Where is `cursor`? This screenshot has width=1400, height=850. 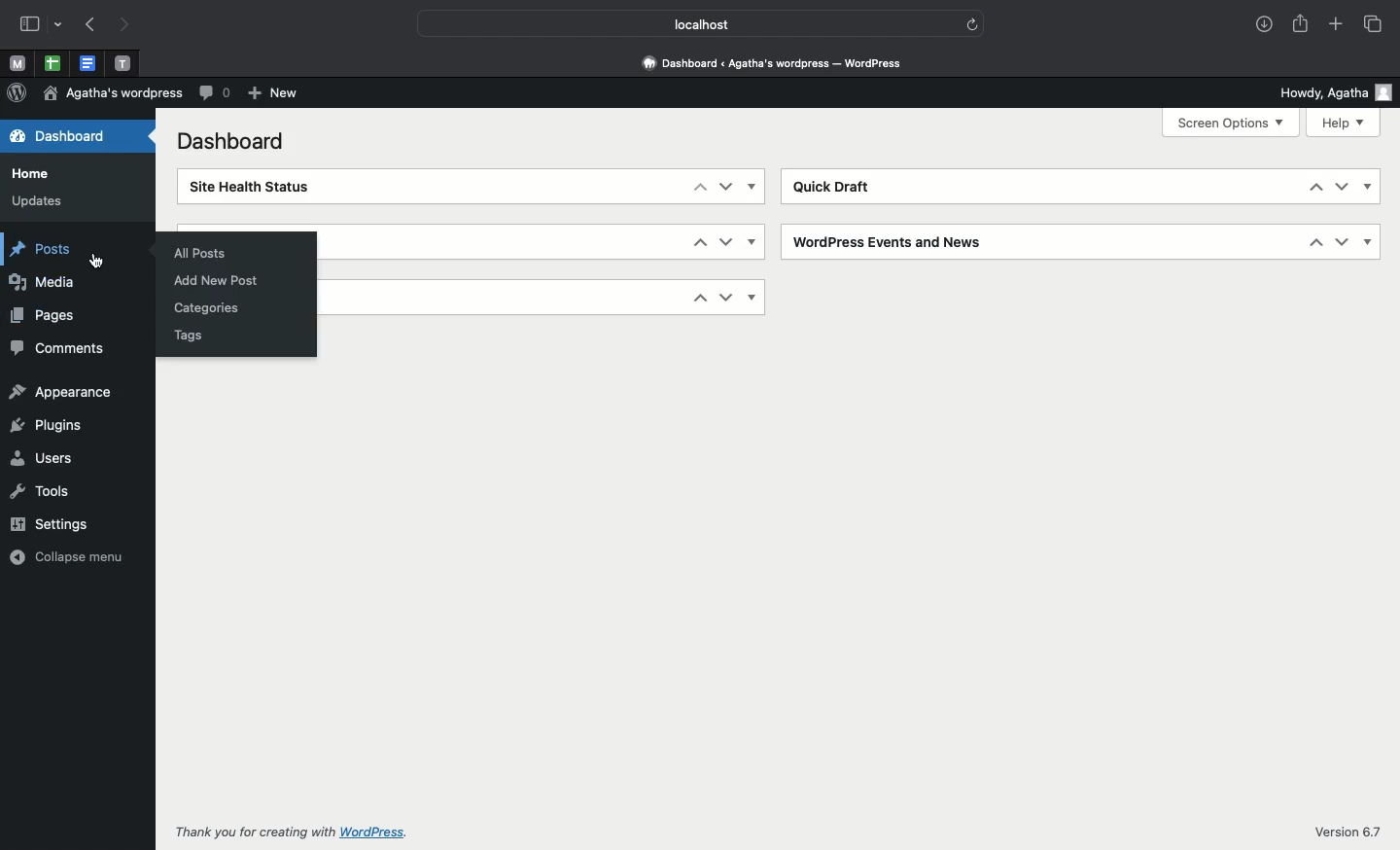
cursor is located at coordinates (96, 260).